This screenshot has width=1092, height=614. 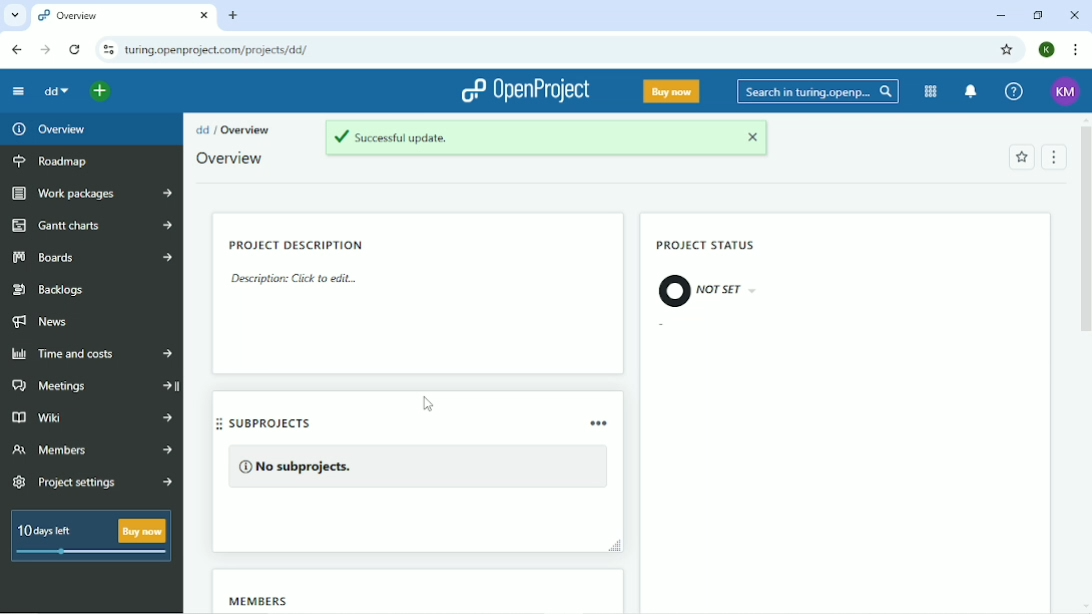 I want to click on Minimize, so click(x=999, y=17).